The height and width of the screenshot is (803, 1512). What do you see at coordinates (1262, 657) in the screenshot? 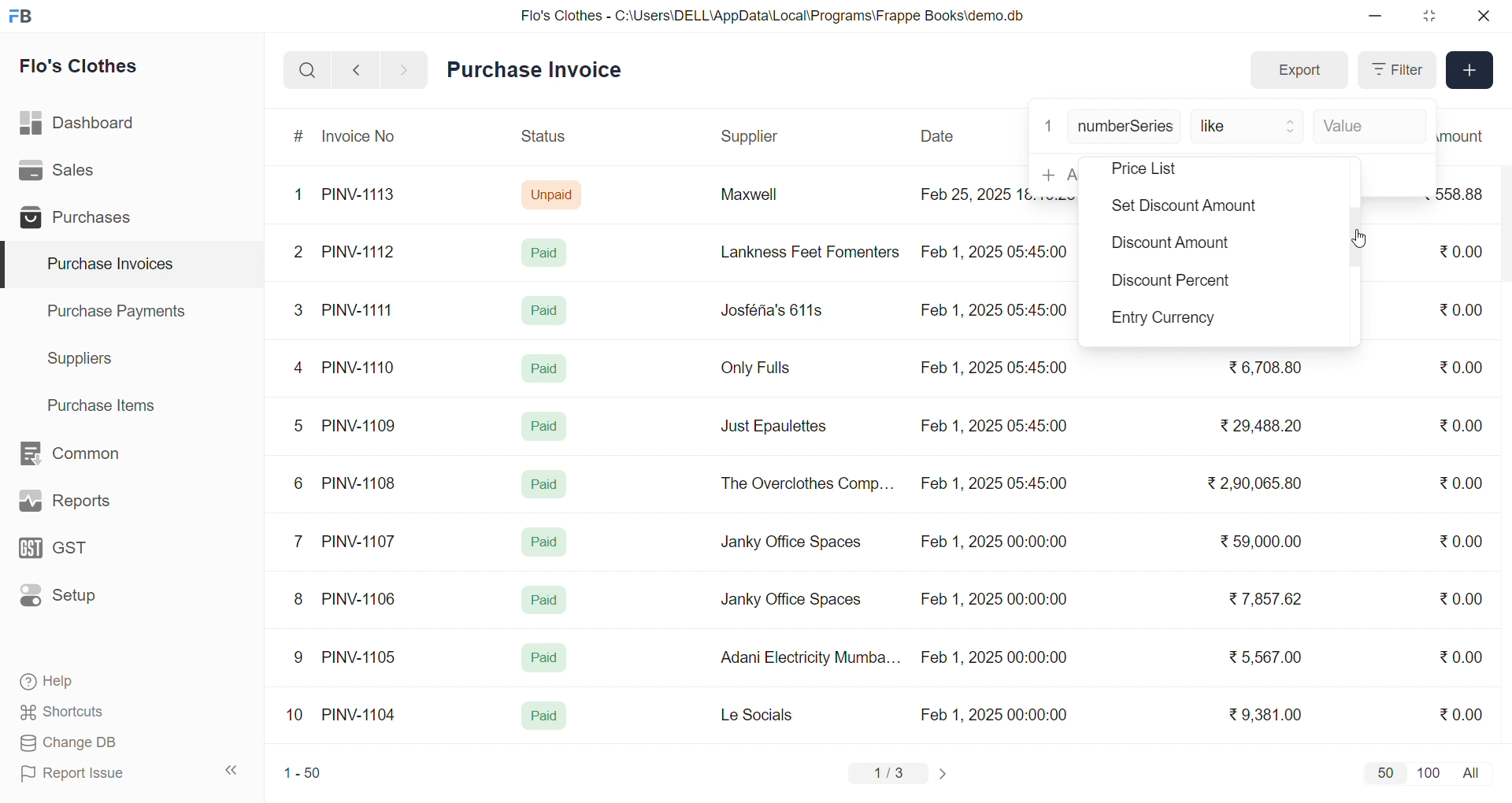
I see `₹ 5,567.00` at bounding box center [1262, 657].